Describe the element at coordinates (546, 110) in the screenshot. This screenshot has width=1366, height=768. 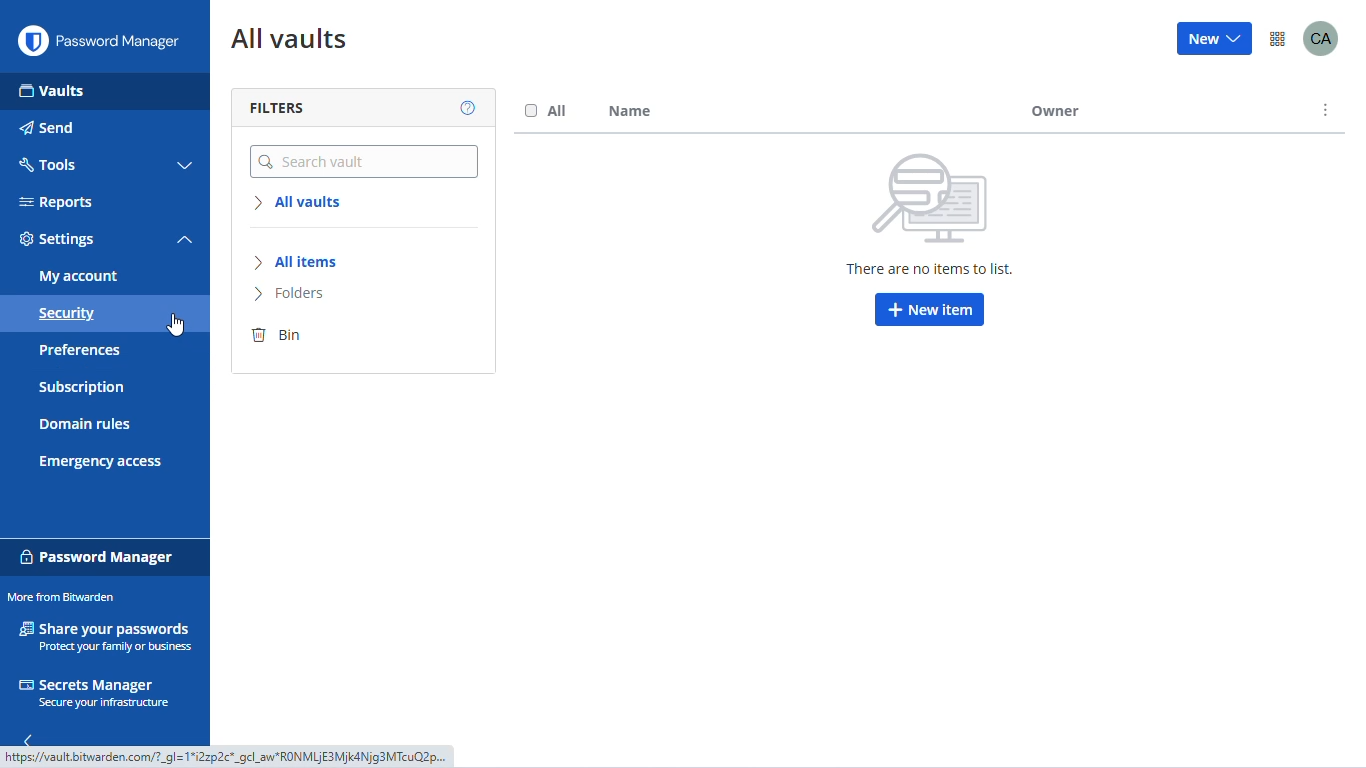
I see `all` at that location.